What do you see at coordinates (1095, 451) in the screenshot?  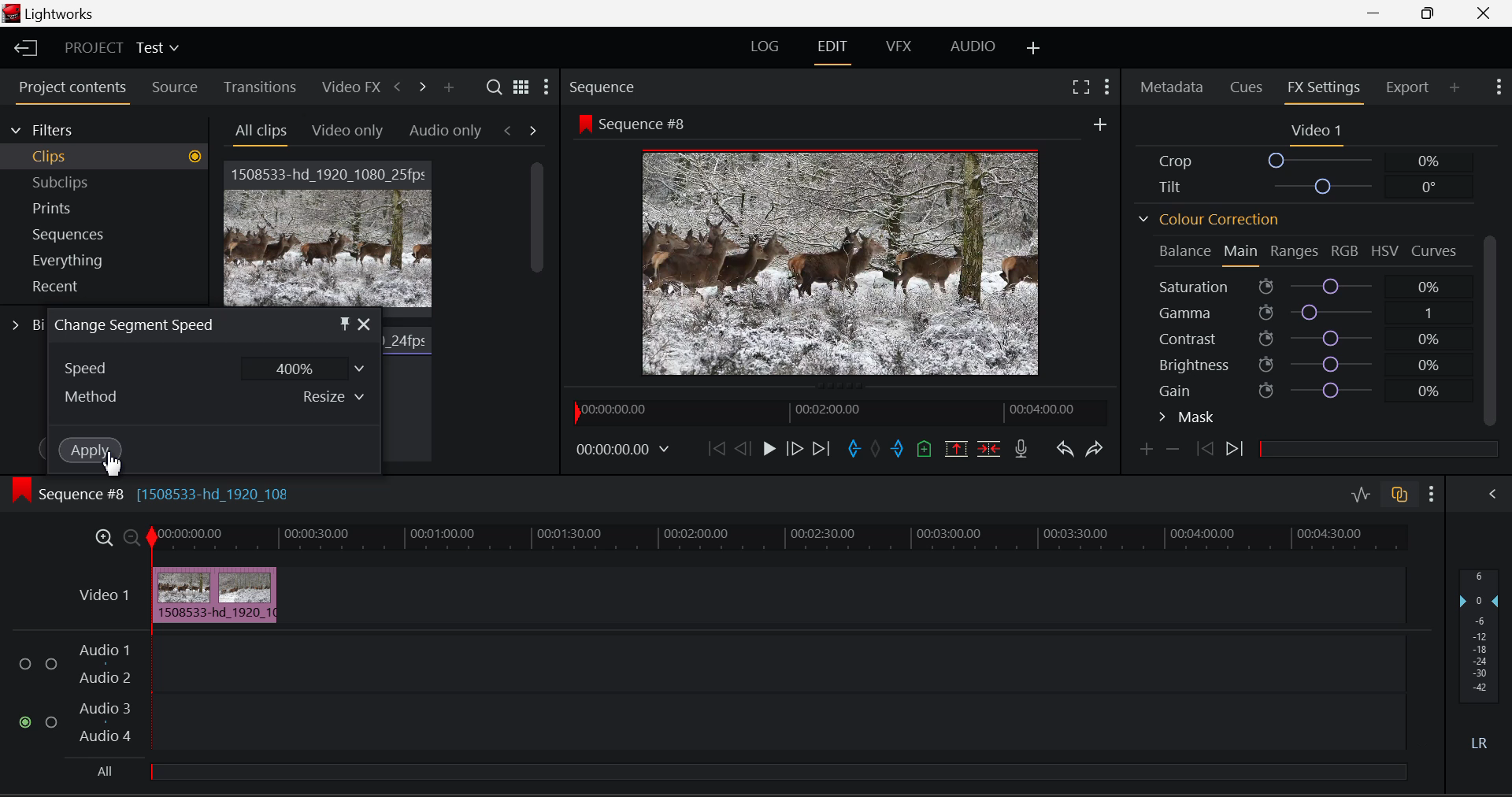 I see `Redo` at bounding box center [1095, 451].